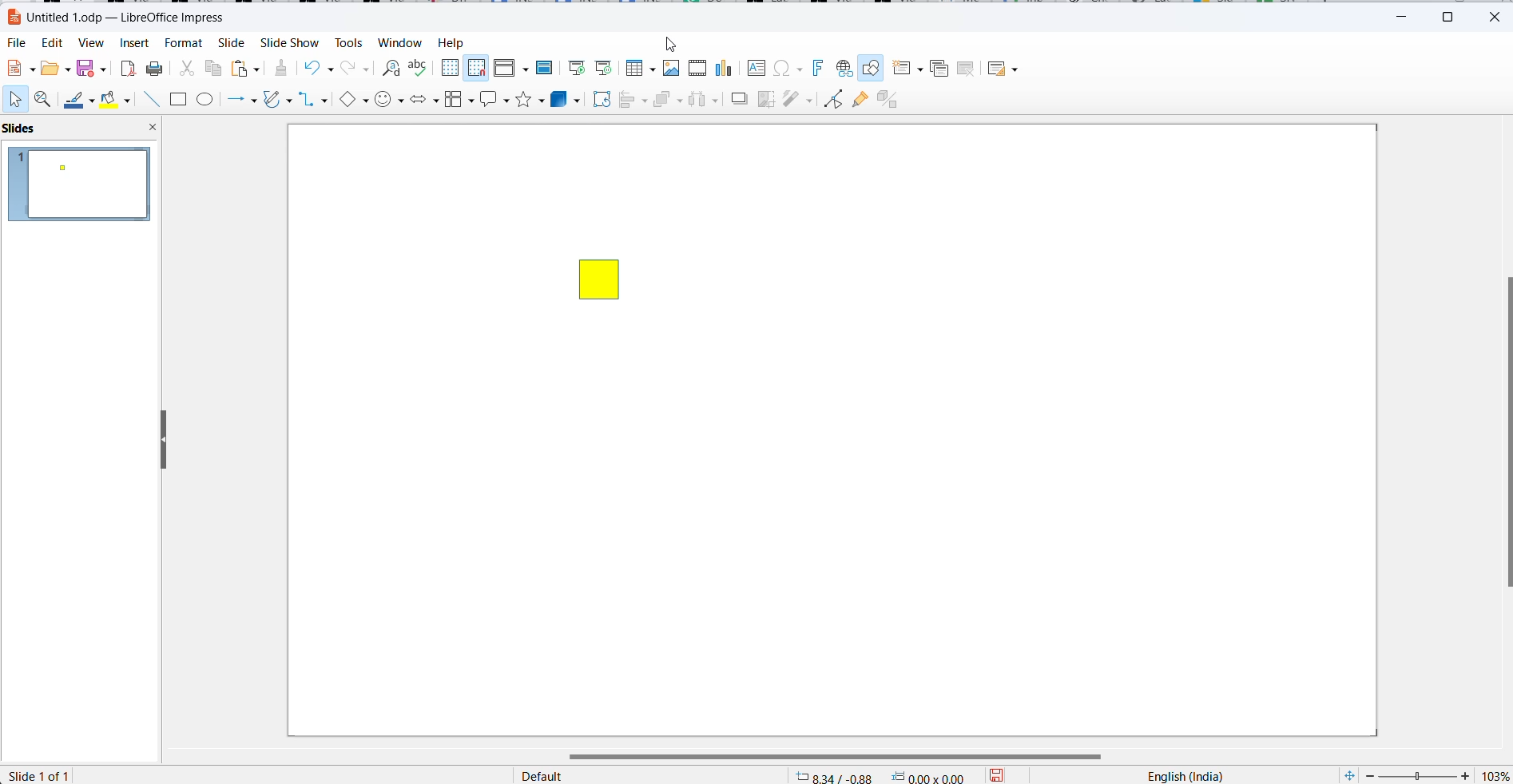 The image size is (1513, 784). What do you see at coordinates (673, 68) in the screenshot?
I see `Insert image` at bounding box center [673, 68].